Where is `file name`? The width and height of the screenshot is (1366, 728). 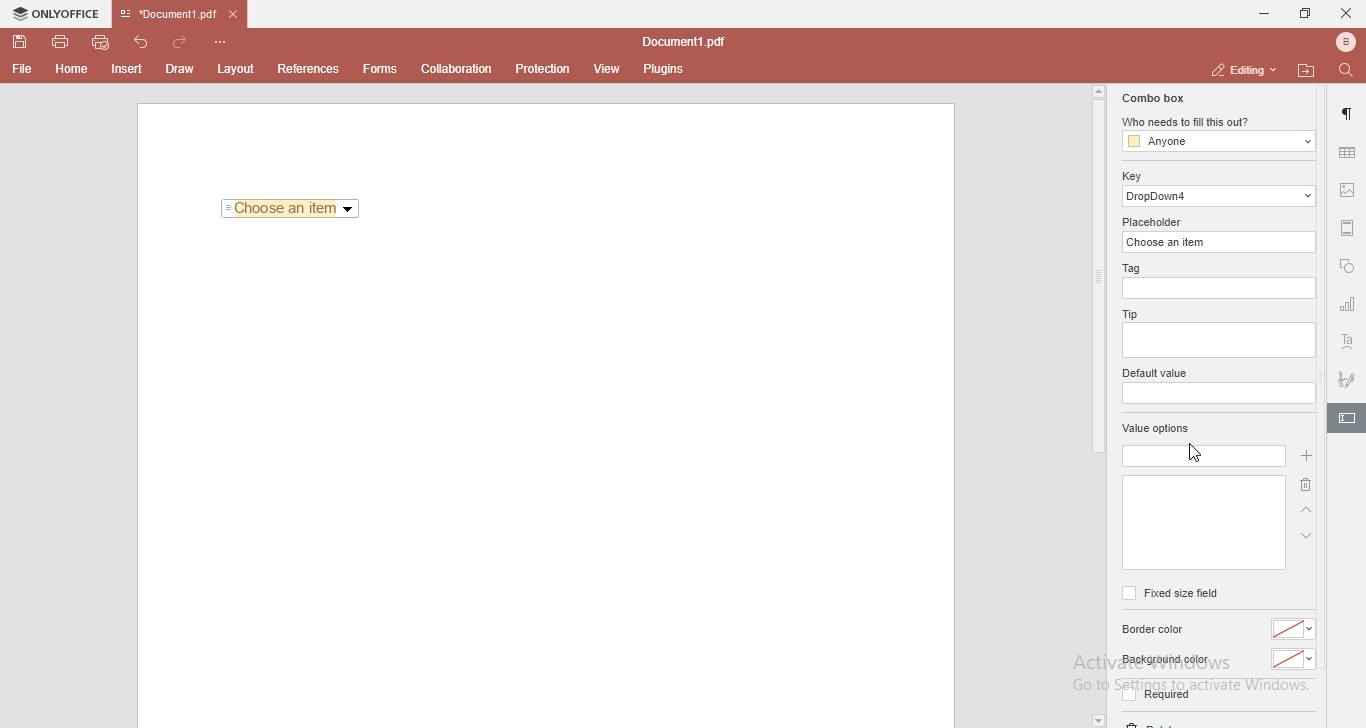
file name is located at coordinates (688, 43).